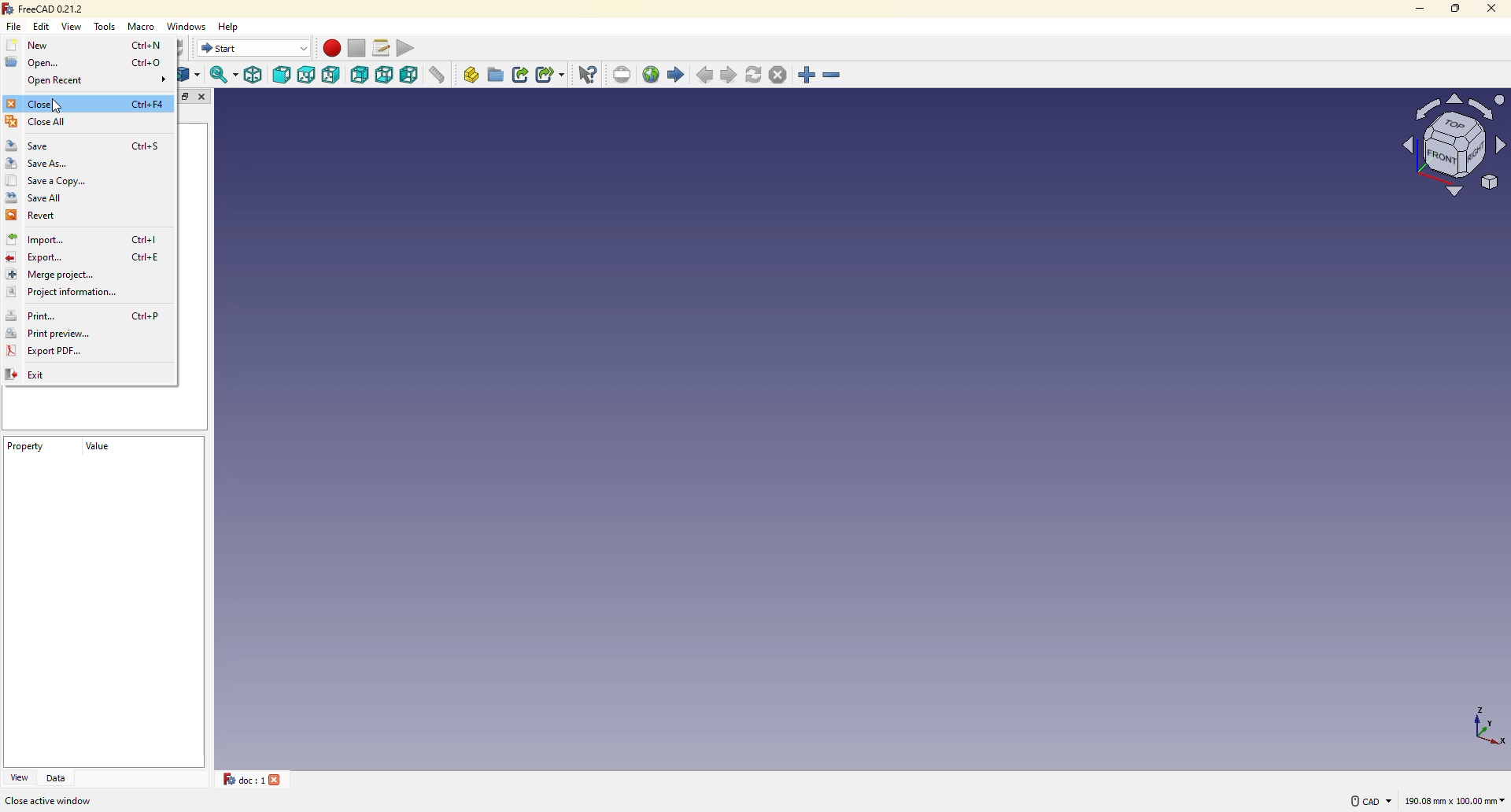  What do you see at coordinates (833, 76) in the screenshot?
I see `zoom out` at bounding box center [833, 76].